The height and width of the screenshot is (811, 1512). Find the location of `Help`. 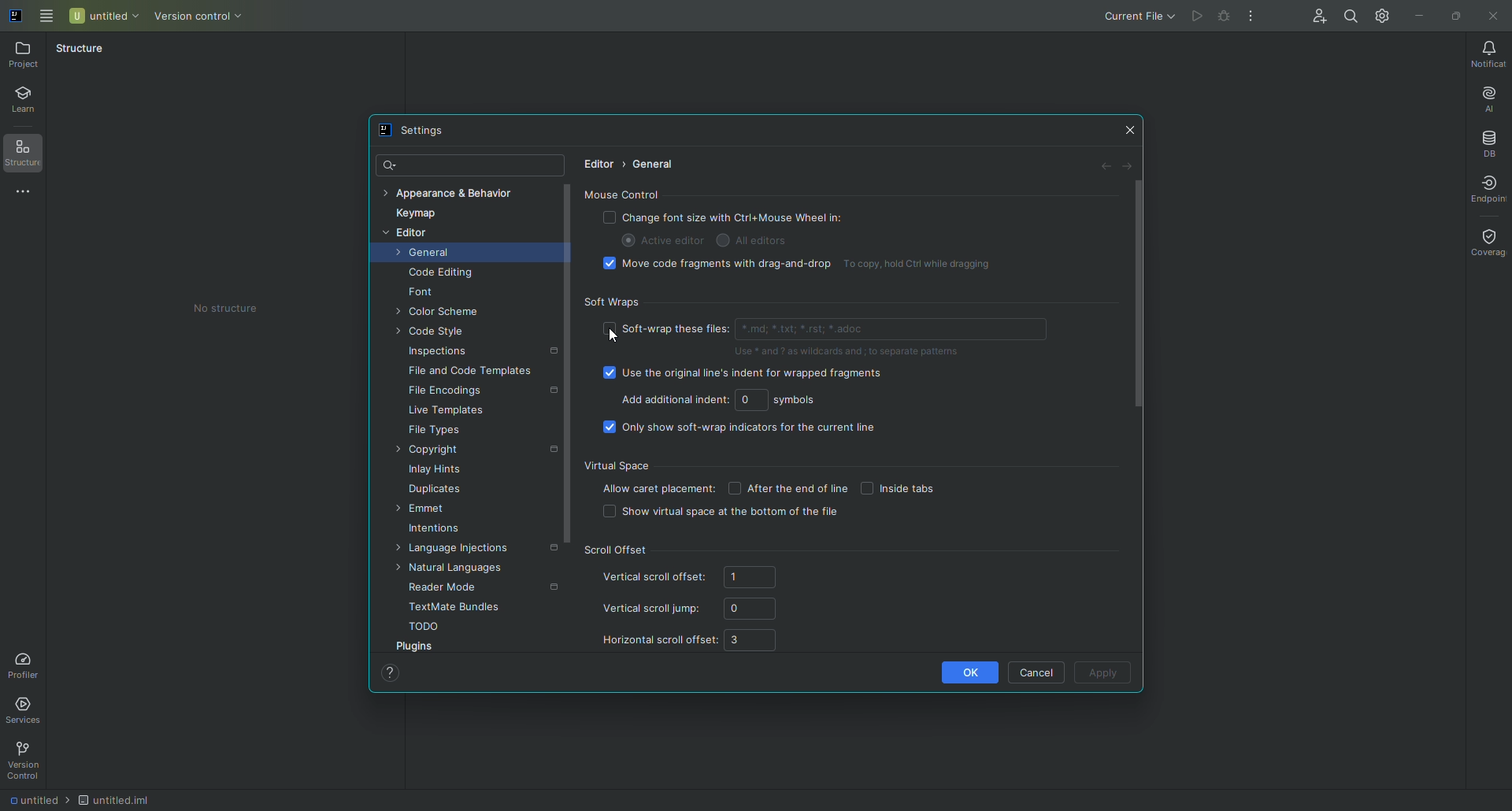

Help is located at coordinates (393, 675).